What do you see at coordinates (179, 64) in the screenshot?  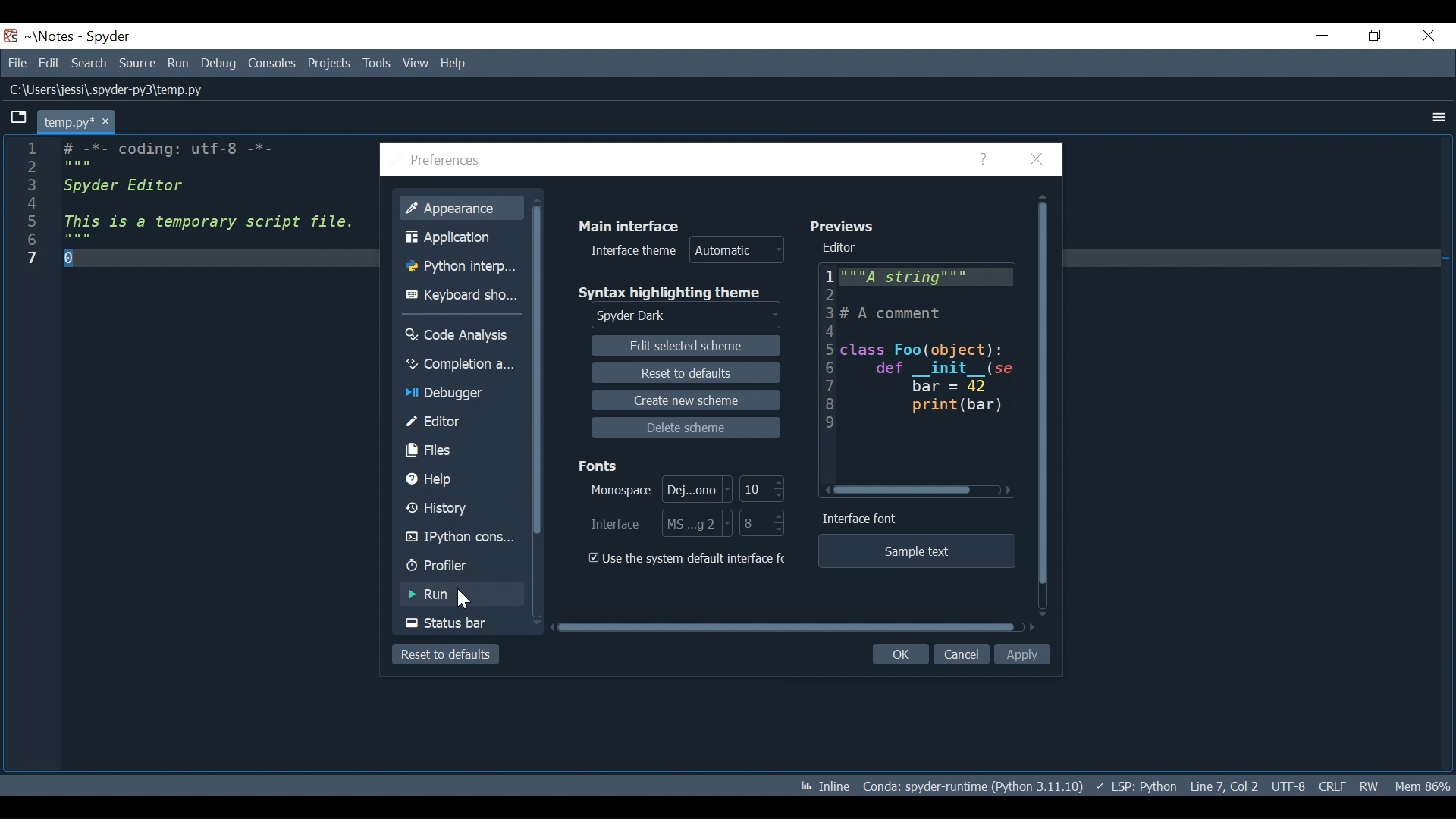 I see `Run` at bounding box center [179, 64].